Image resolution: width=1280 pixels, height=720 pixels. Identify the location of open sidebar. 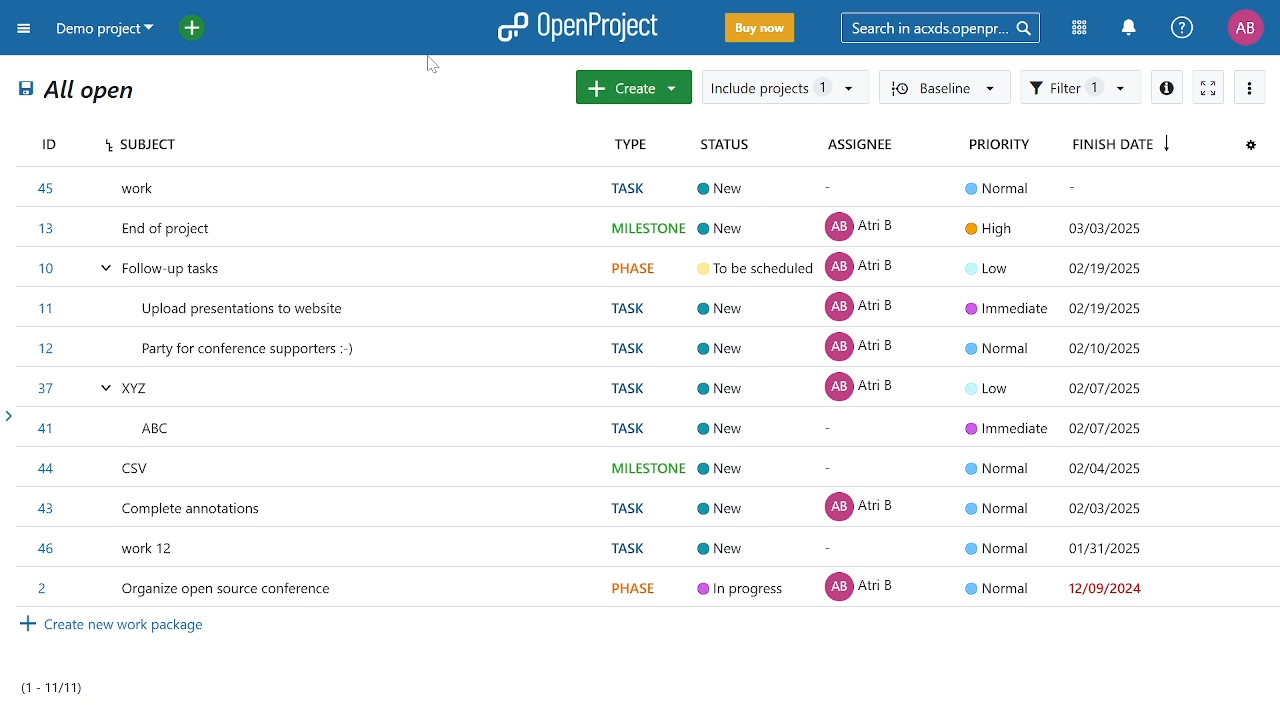
(8, 419).